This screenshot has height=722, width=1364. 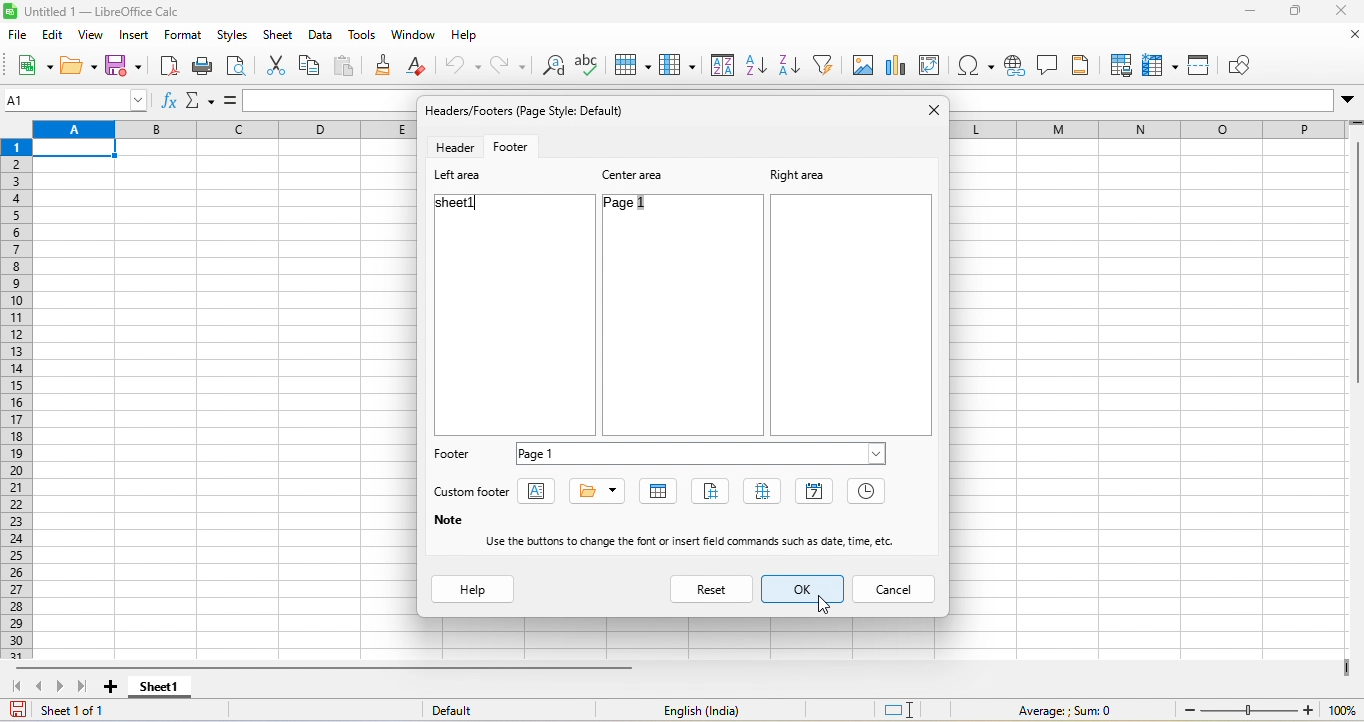 I want to click on split window, so click(x=1202, y=63).